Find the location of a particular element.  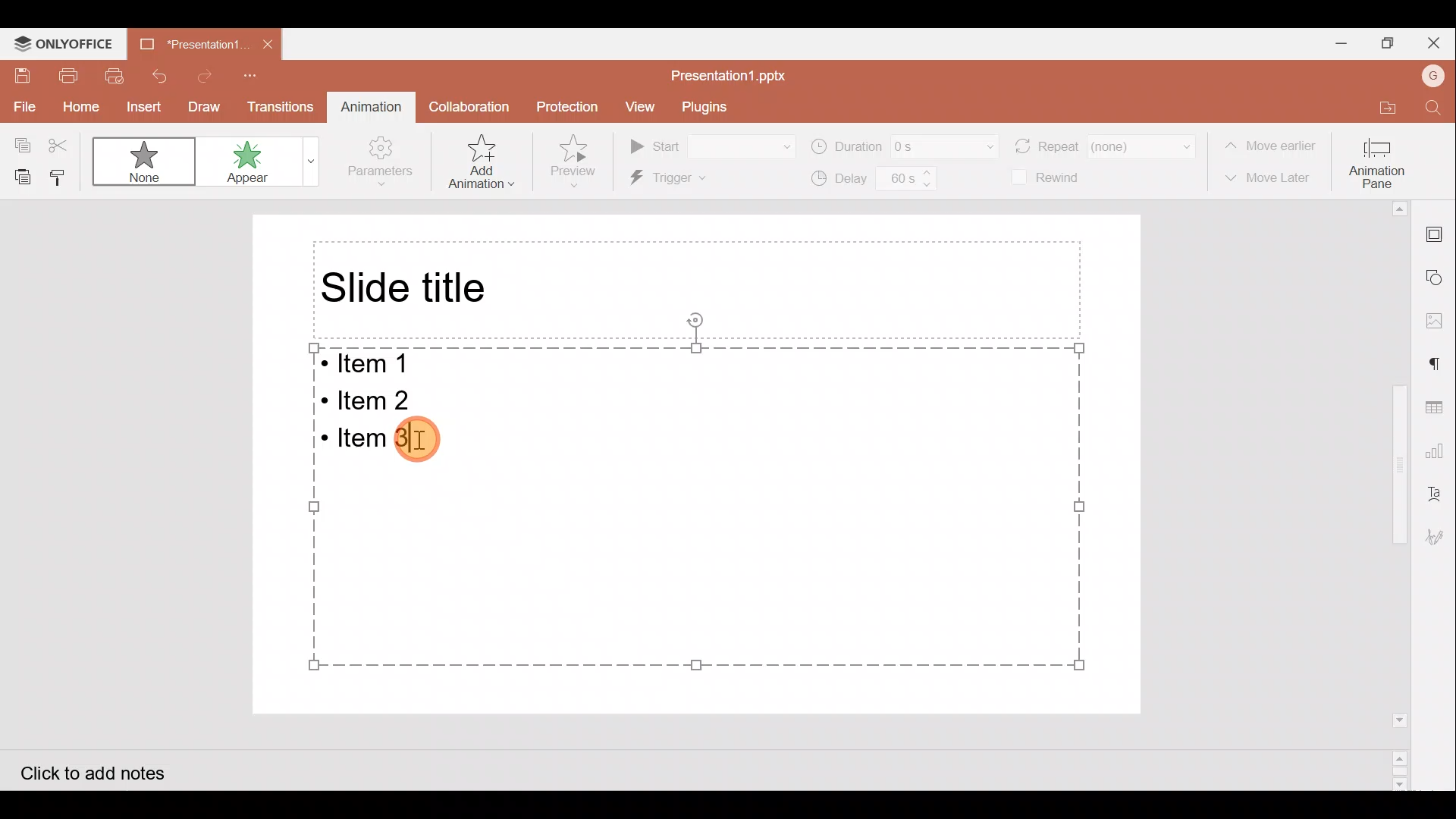

Save is located at coordinates (21, 76).